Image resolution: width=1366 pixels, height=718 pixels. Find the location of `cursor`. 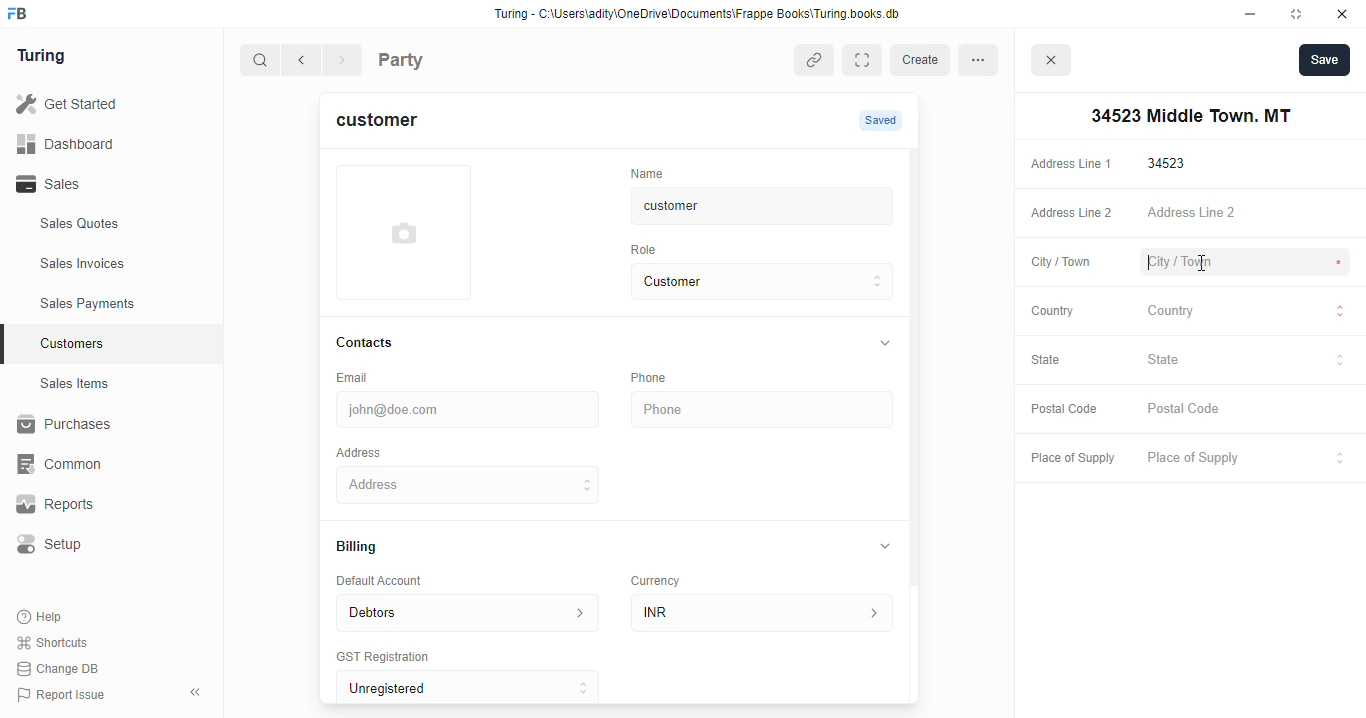

cursor is located at coordinates (1201, 258).